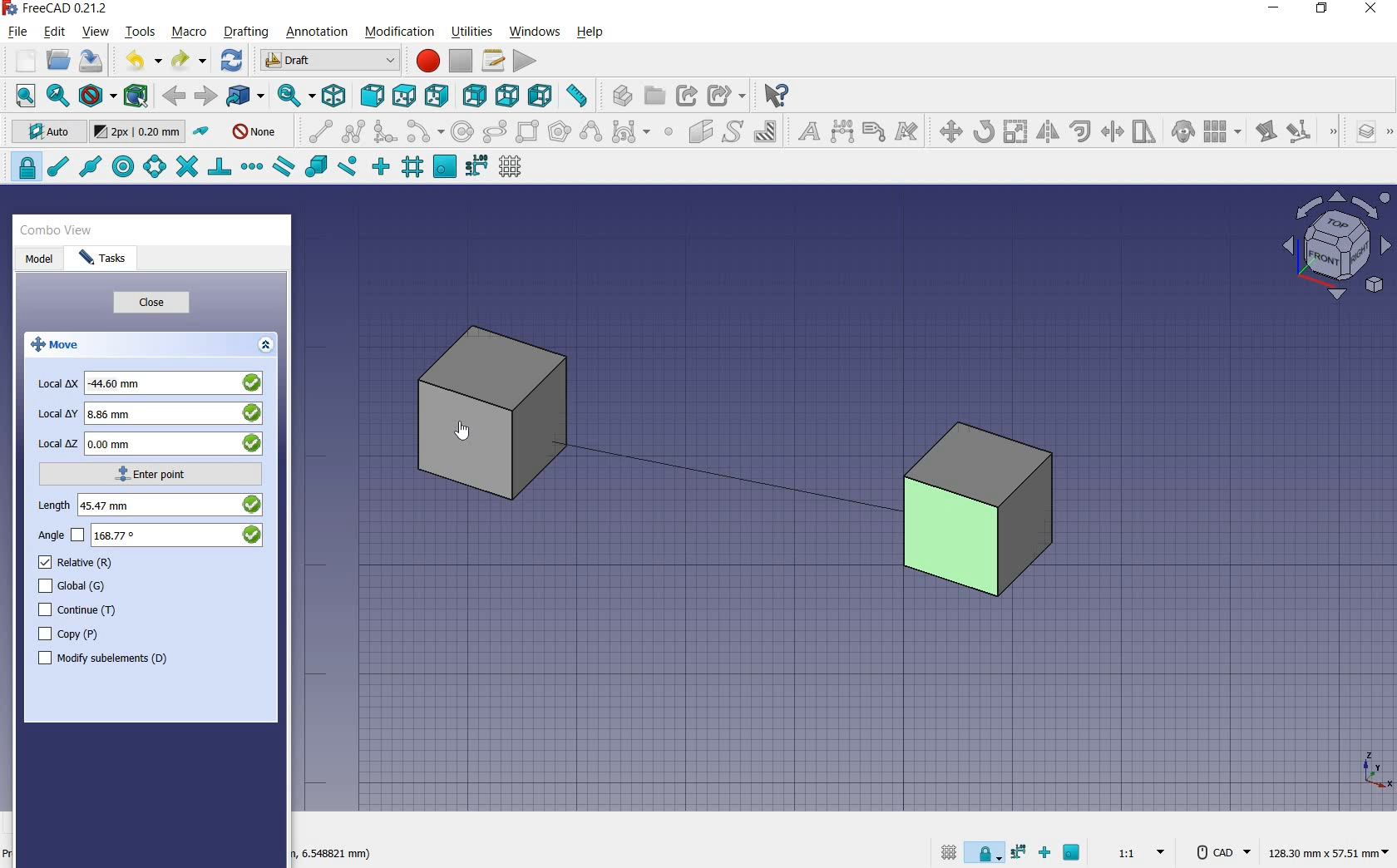 Image resolution: width=1397 pixels, height=868 pixels. I want to click on fit all, so click(20, 96).